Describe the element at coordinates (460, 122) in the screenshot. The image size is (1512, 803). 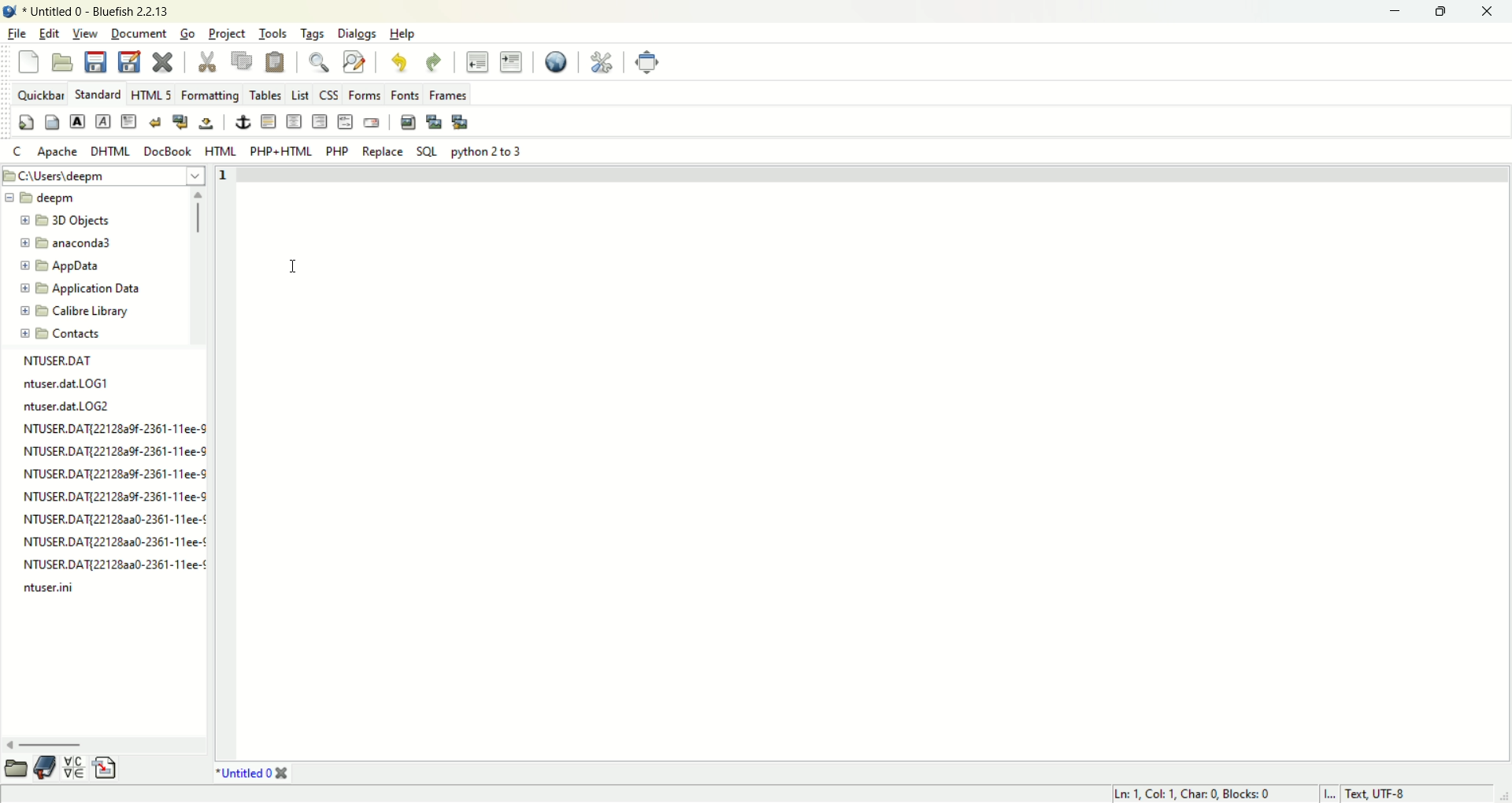
I see `multi thumbnail` at that location.